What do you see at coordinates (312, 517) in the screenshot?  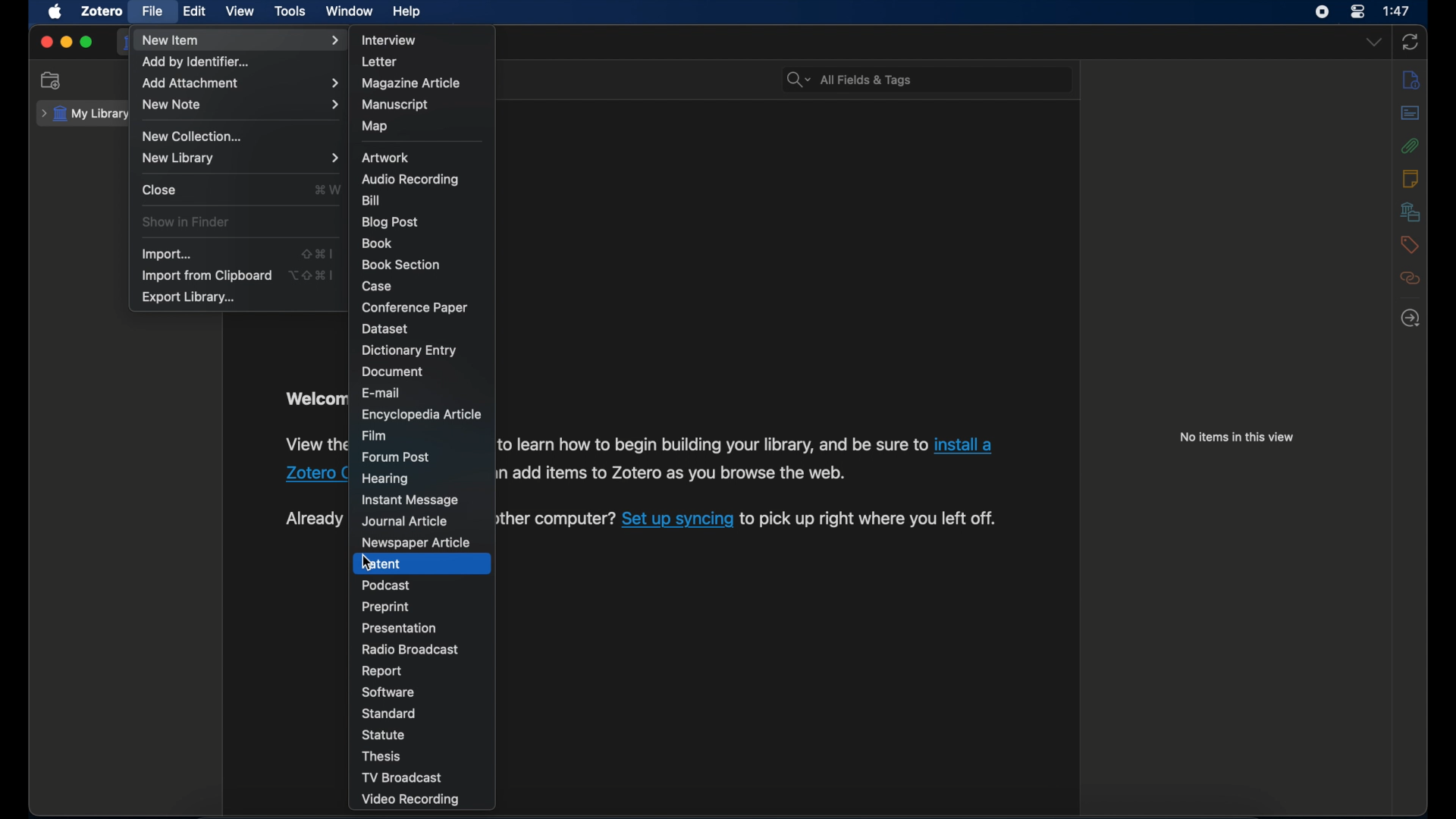 I see `Already` at bounding box center [312, 517].